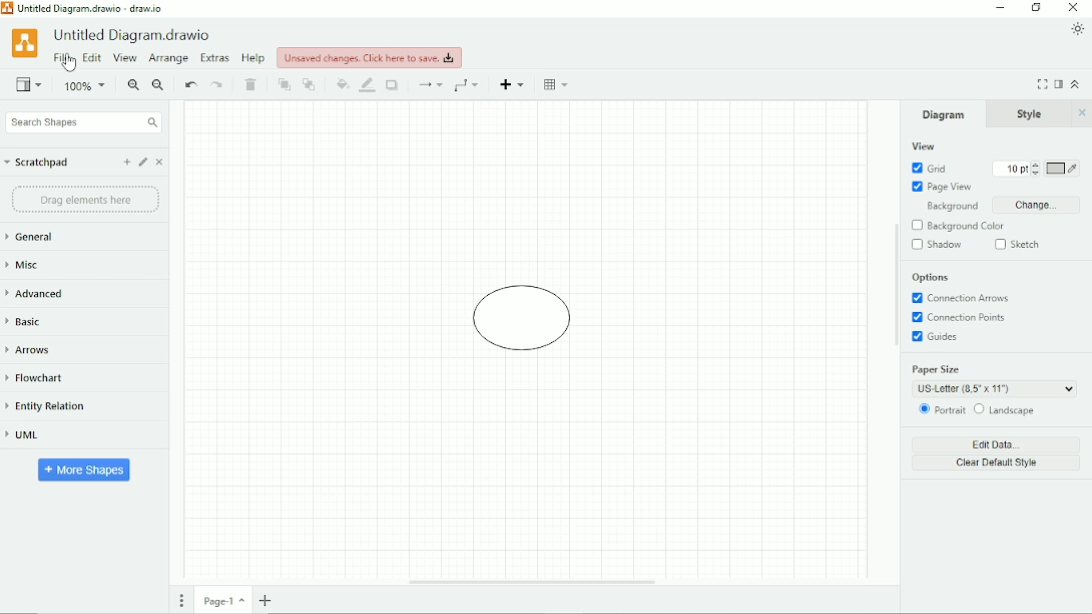  Describe the element at coordinates (124, 58) in the screenshot. I see `View` at that location.